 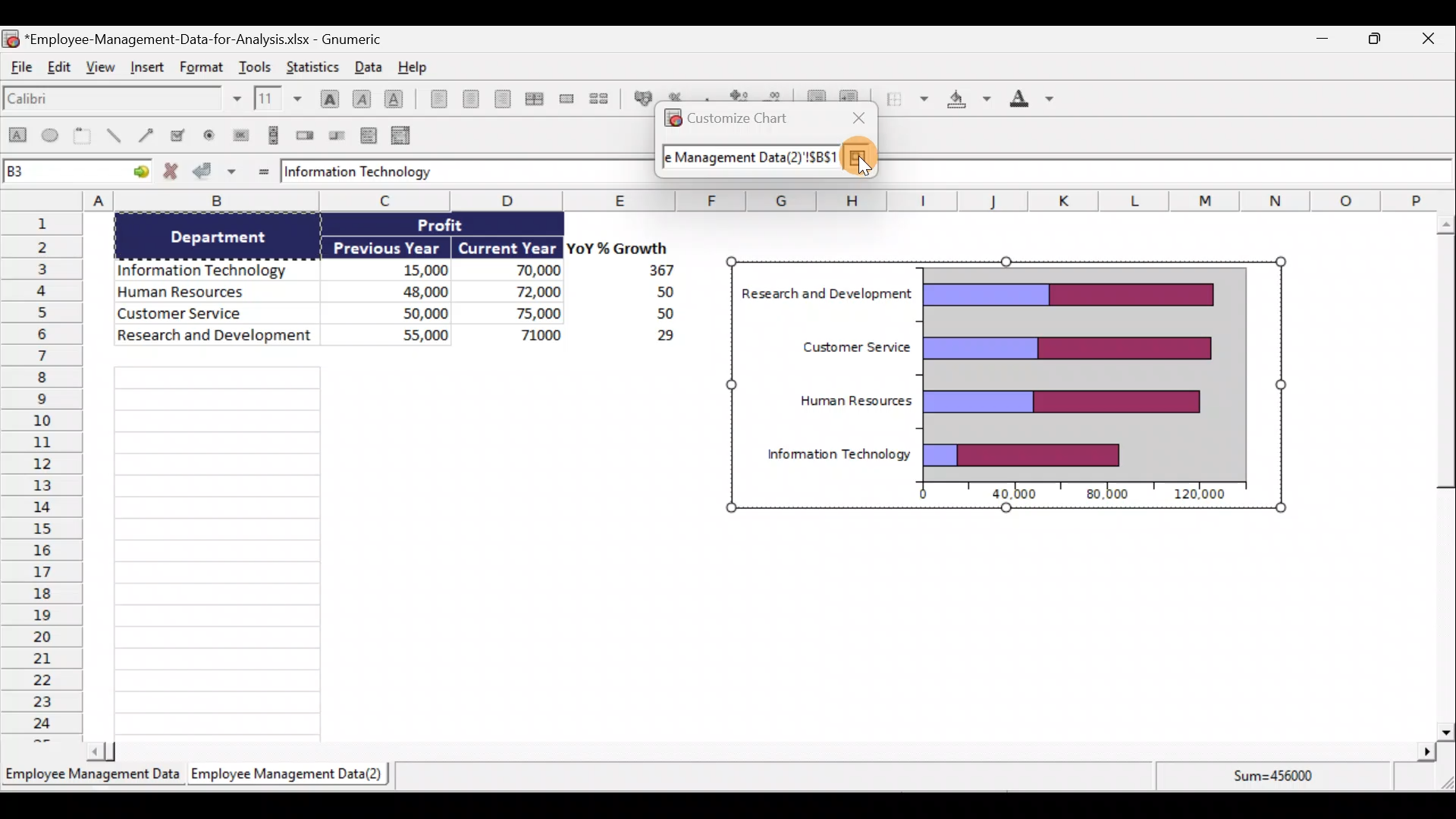 What do you see at coordinates (151, 68) in the screenshot?
I see `Insert` at bounding box center [151, 68].